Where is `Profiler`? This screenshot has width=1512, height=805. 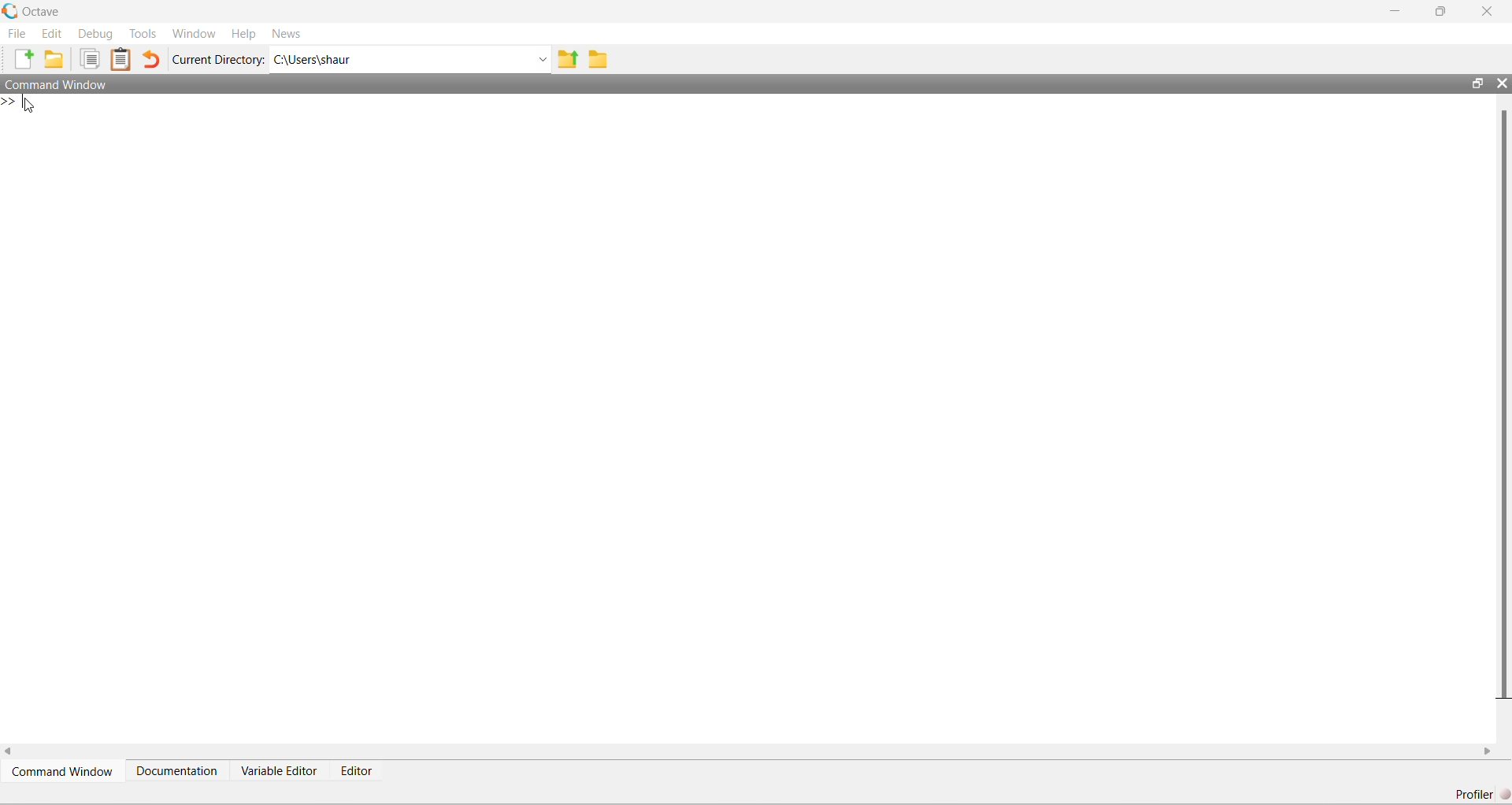 Profiler is located at coordinates (1474, 795).